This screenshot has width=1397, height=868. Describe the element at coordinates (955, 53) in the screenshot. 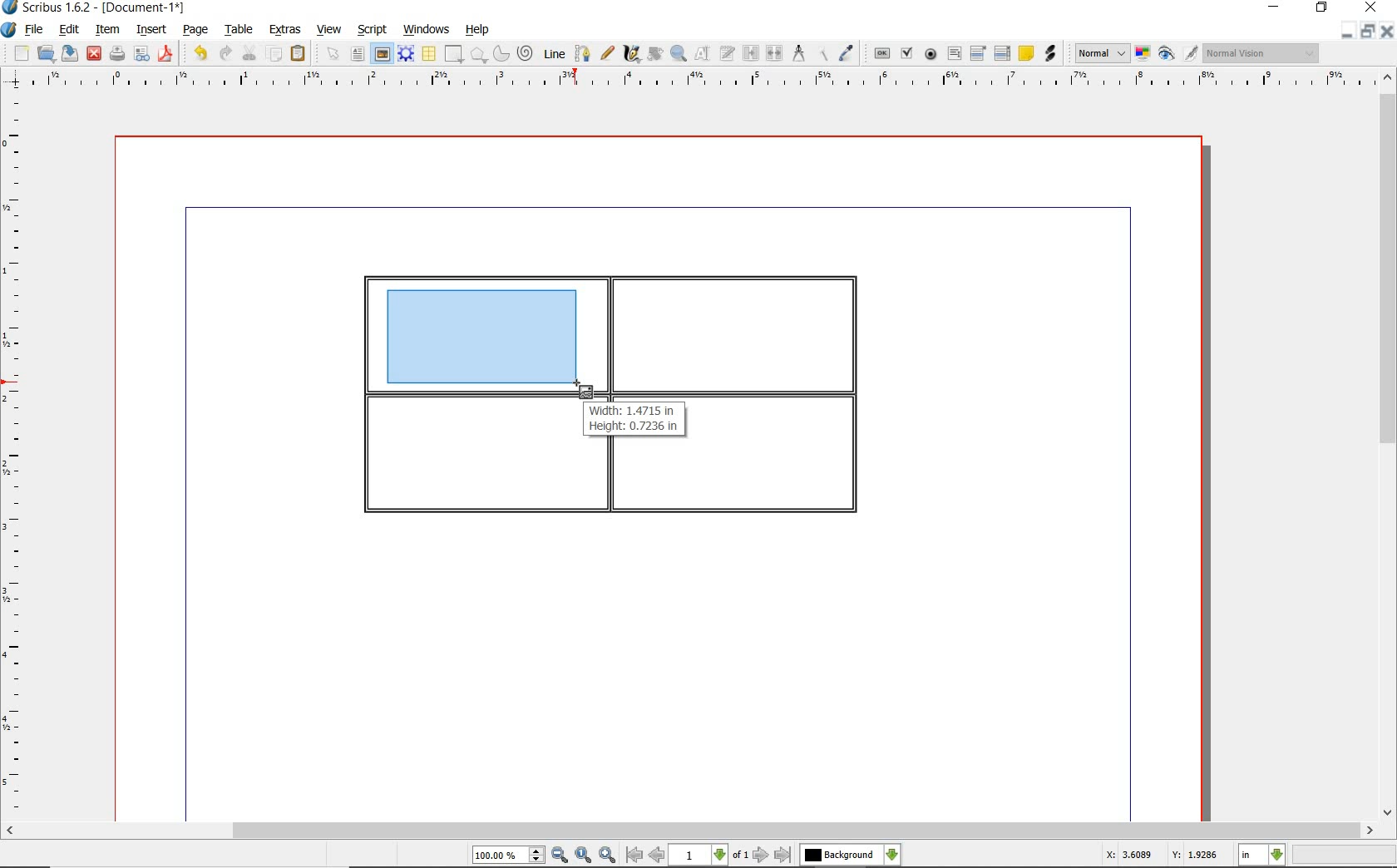

I see `pdf text field` at that location.